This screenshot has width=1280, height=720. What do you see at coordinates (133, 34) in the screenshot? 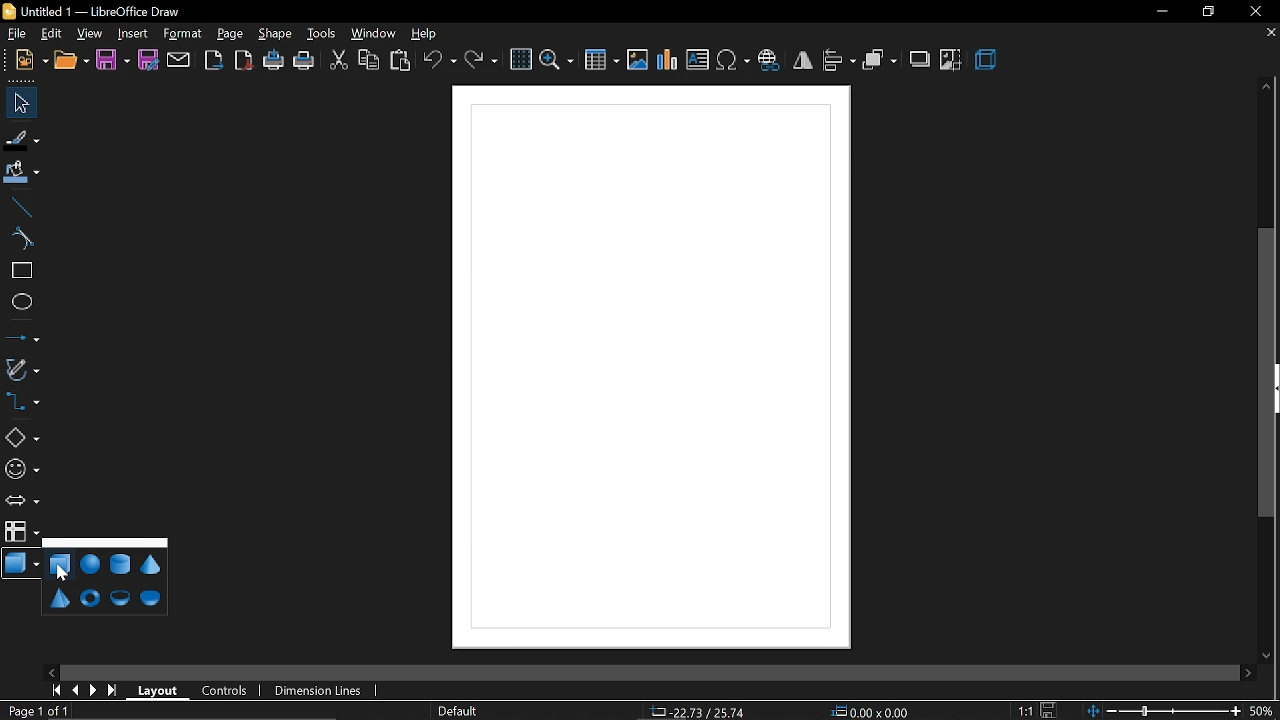
I see `Insert` at bounding box center [133, 34].